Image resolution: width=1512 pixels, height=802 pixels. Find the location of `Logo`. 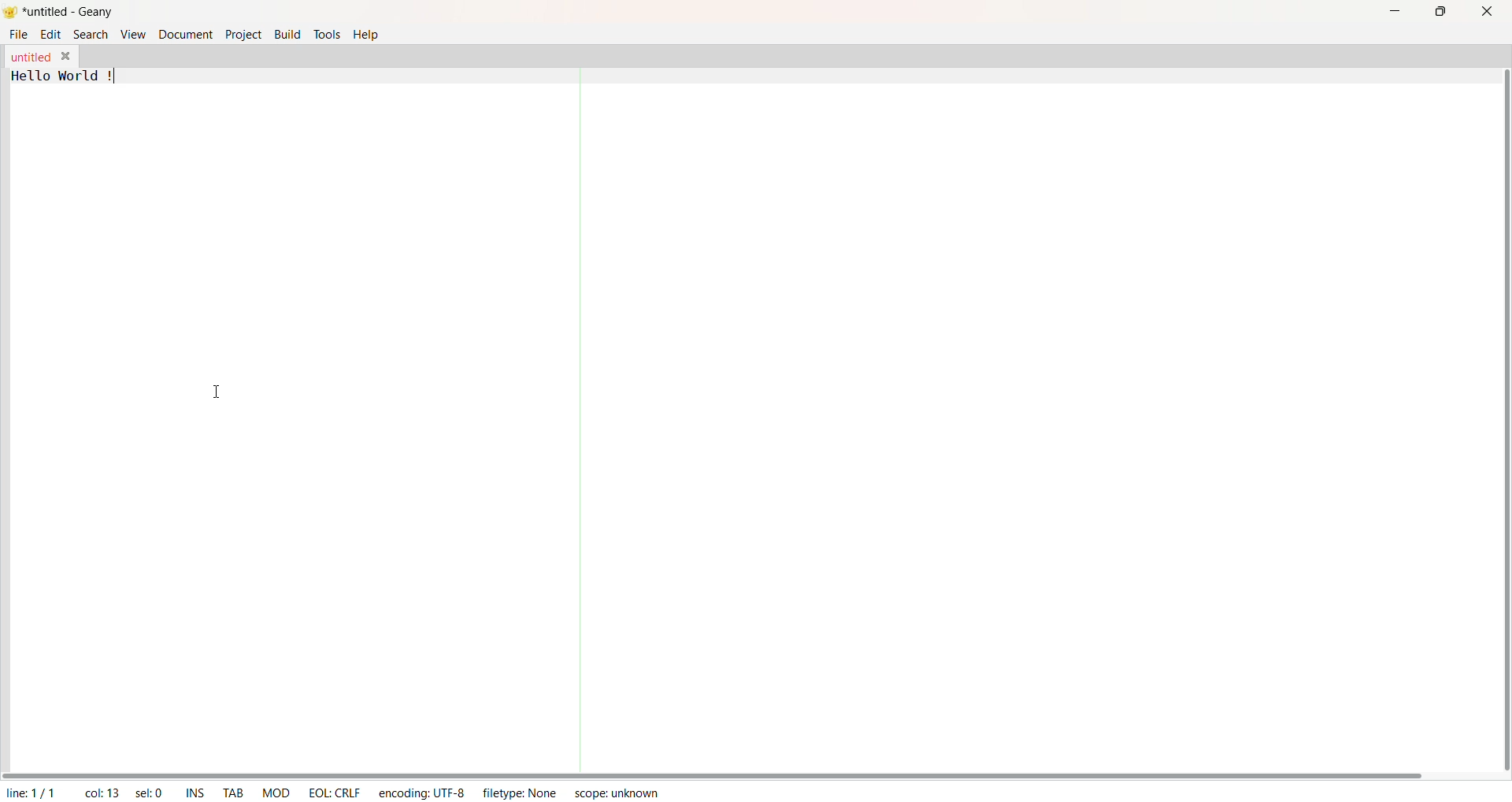

Logo is located at coordinates (13, 13).